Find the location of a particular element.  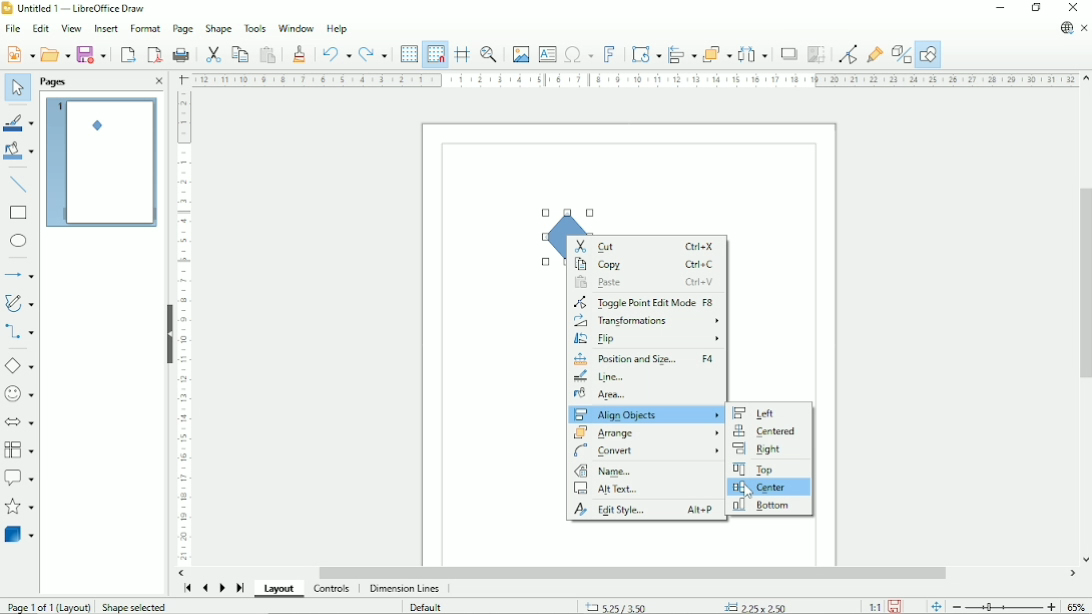

Clone formatting is located at coordinates (301, 53).